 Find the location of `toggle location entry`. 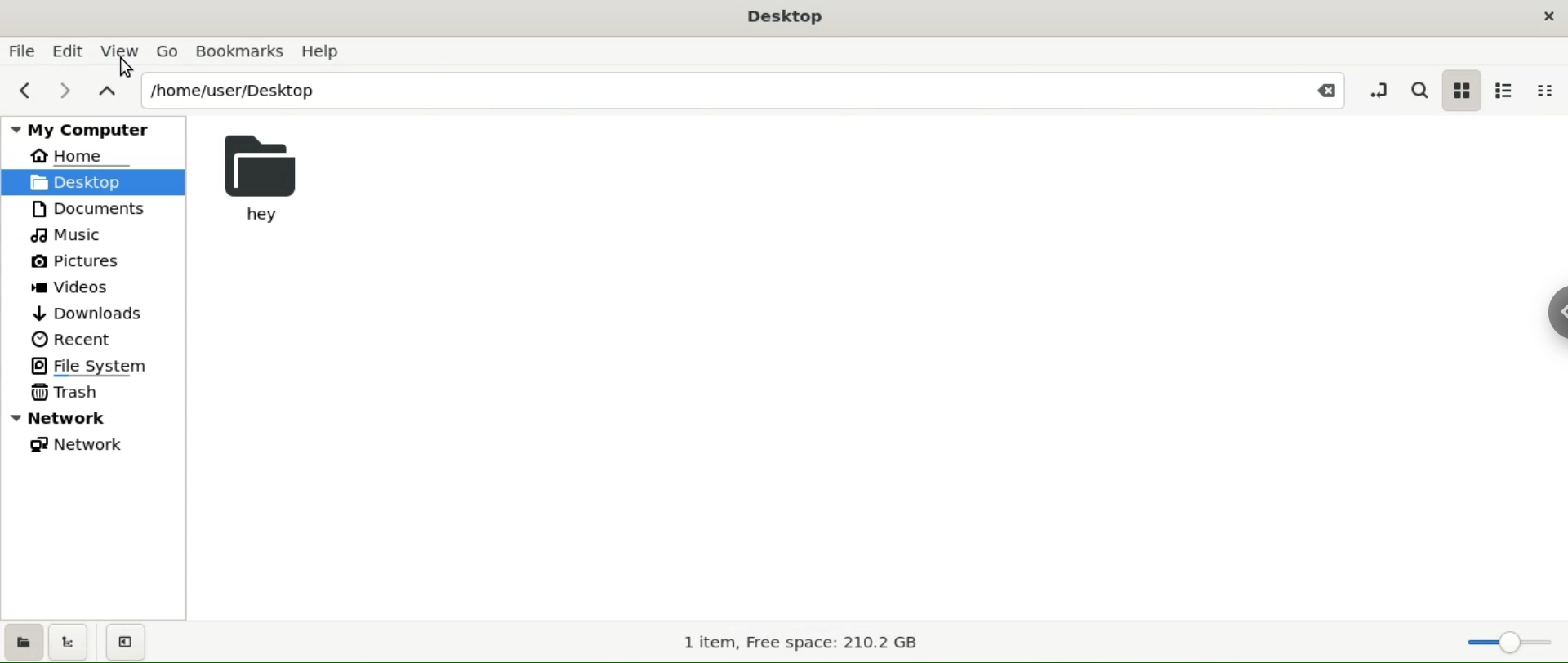

toggle location entry is located at coordinates (1379, 90).